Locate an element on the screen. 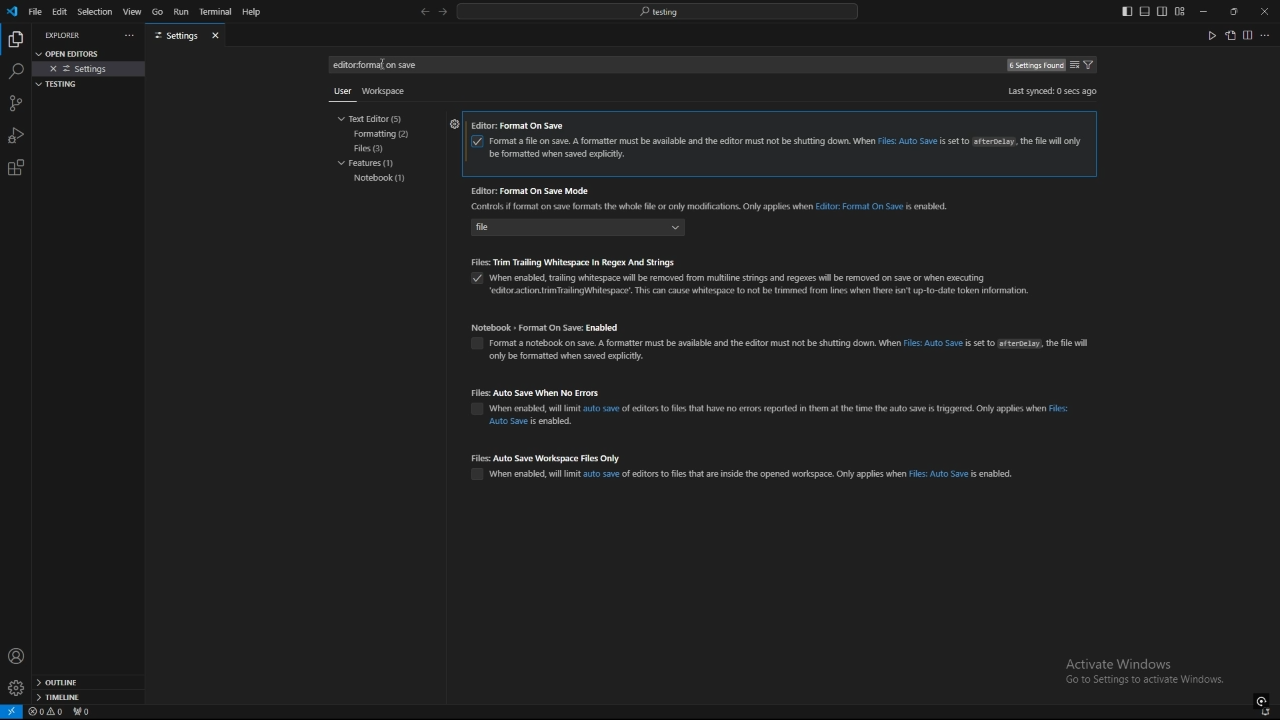 The image size is (1280, 720). controls if format on save formats the whole file or only modifications. Only applies when editor is enabled is located at coordinates (716, 208).